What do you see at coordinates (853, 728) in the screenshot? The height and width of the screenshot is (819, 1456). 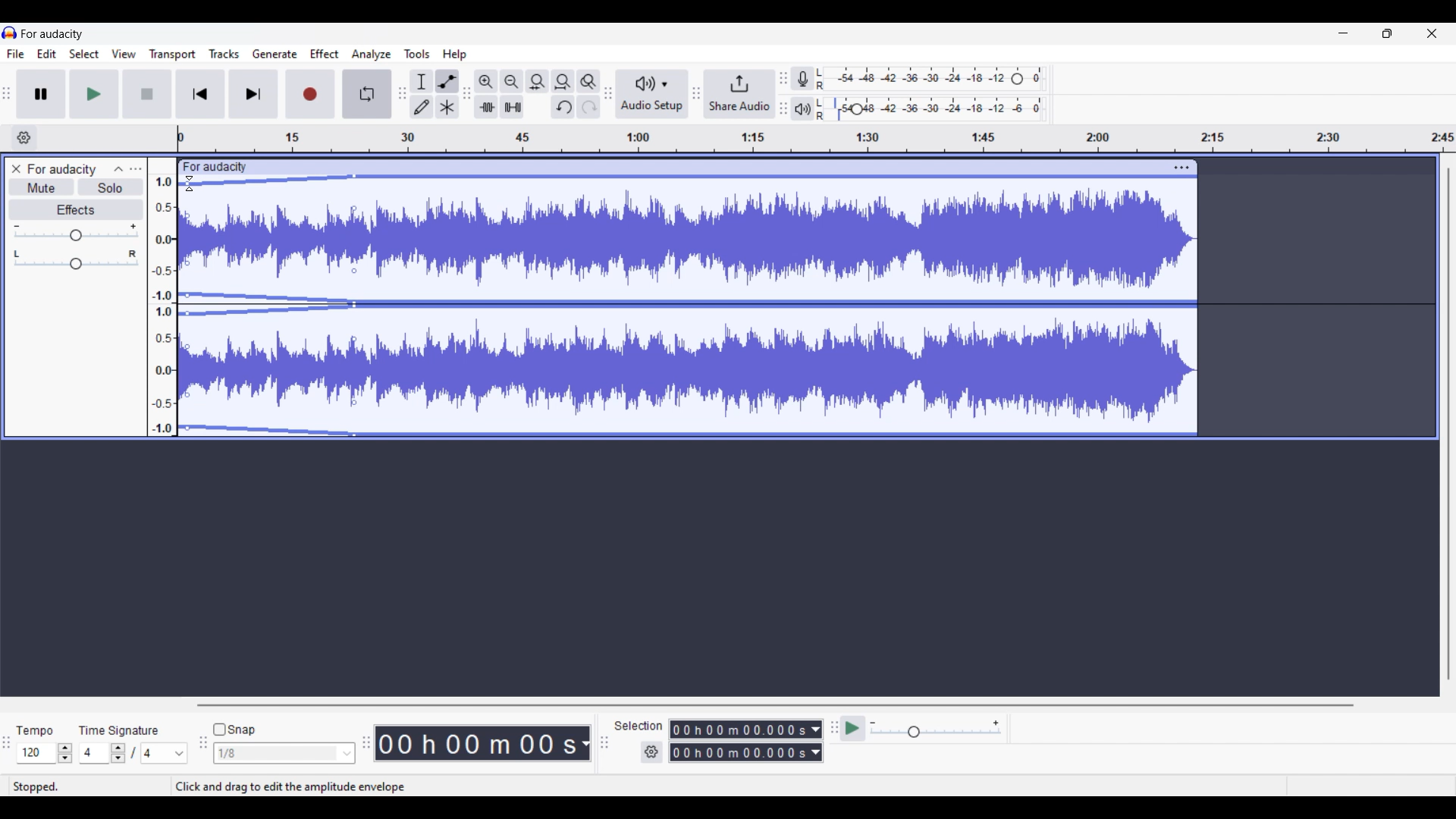 I see `play at speed` at bounding box center [853, 728].